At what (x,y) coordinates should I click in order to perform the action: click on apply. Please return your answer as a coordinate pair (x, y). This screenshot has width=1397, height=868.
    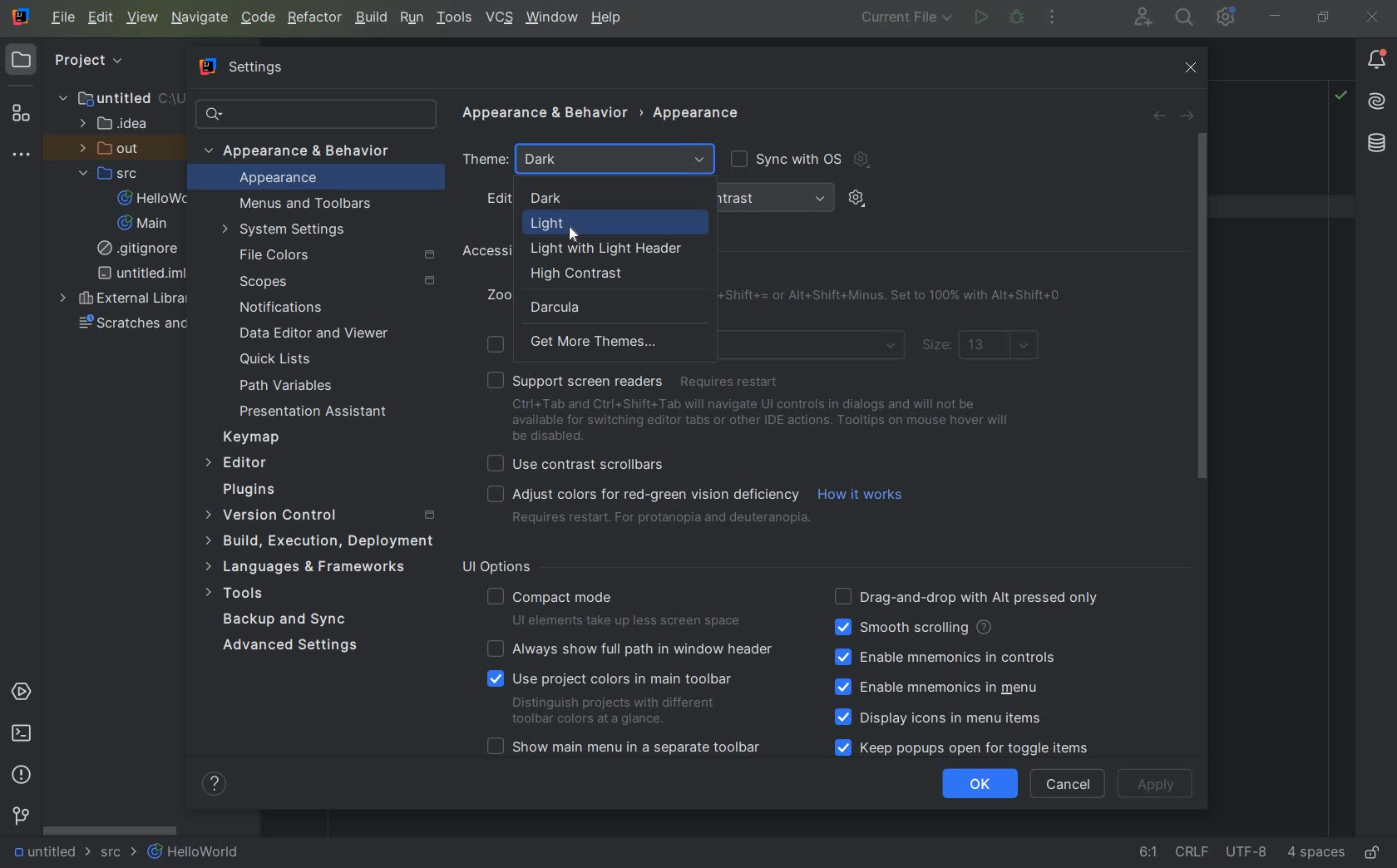
    Looking at the image, I should click on (1158, 784).